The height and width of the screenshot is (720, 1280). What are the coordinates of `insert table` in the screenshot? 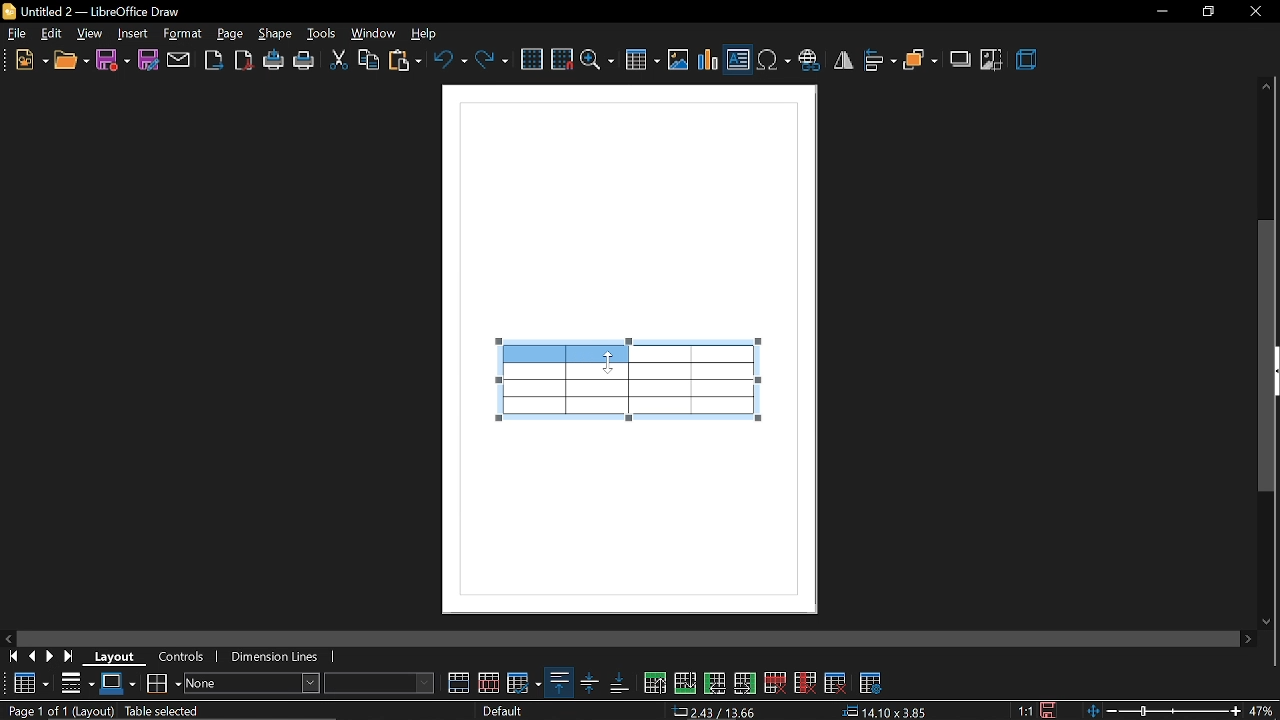 It's located at (642, 59).